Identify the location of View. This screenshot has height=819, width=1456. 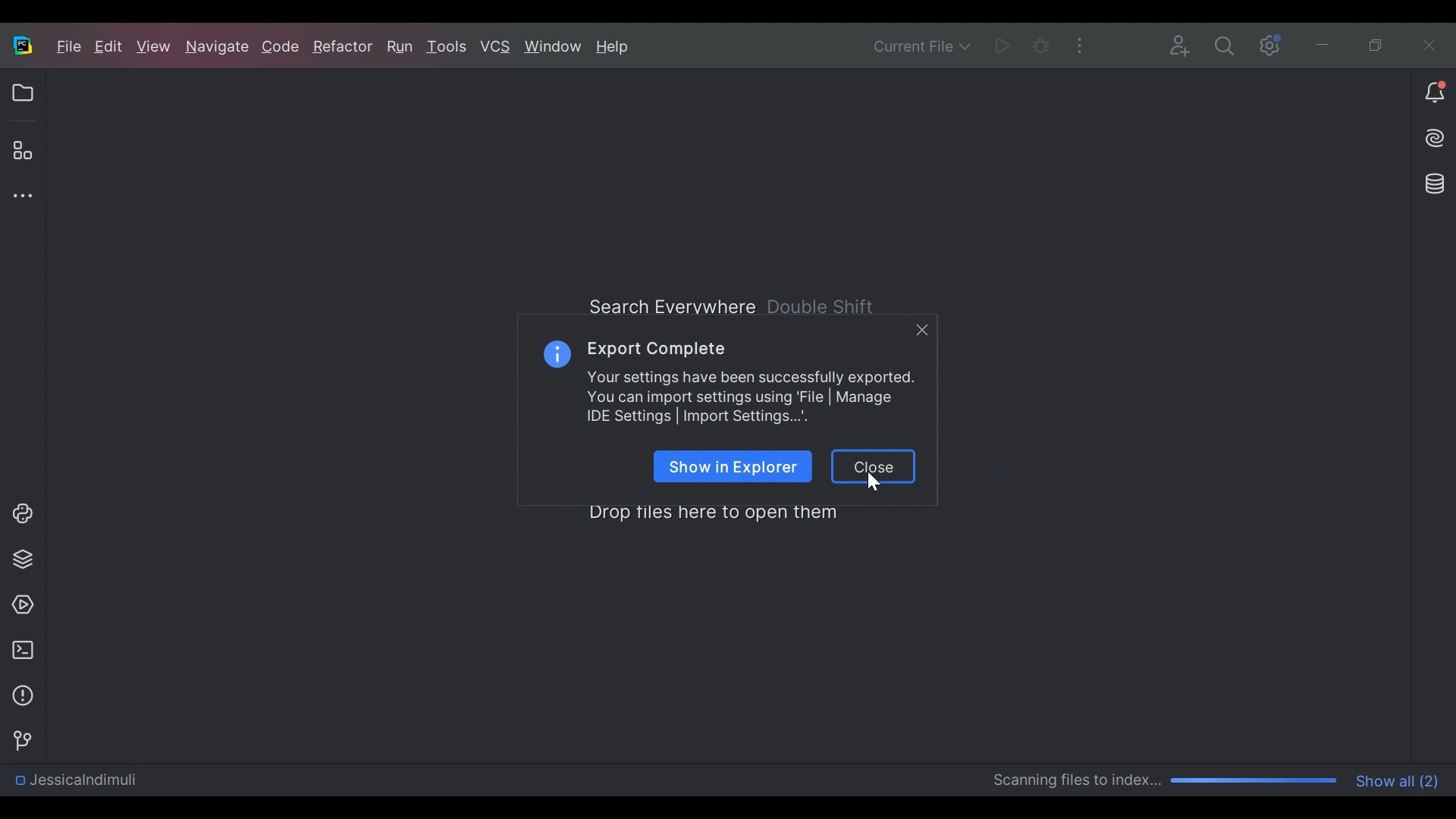
(155, 47).